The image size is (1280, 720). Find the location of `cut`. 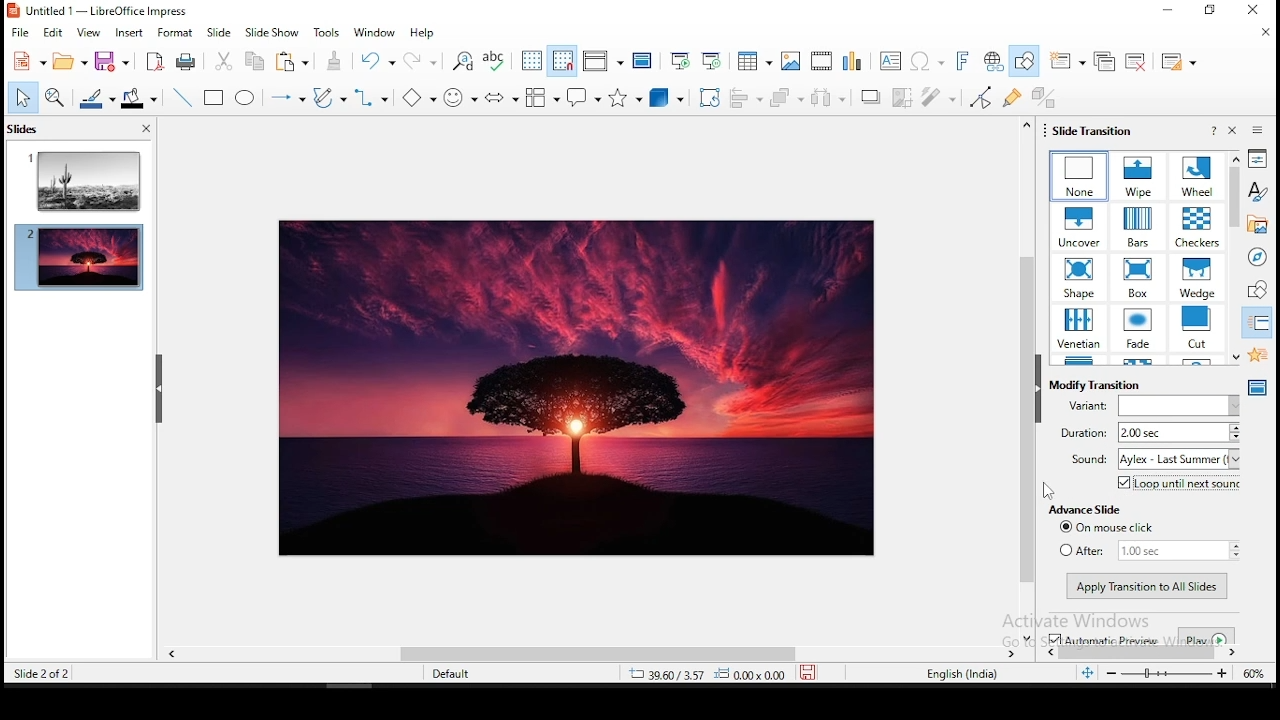

cut is located at coordinates (224, 62).